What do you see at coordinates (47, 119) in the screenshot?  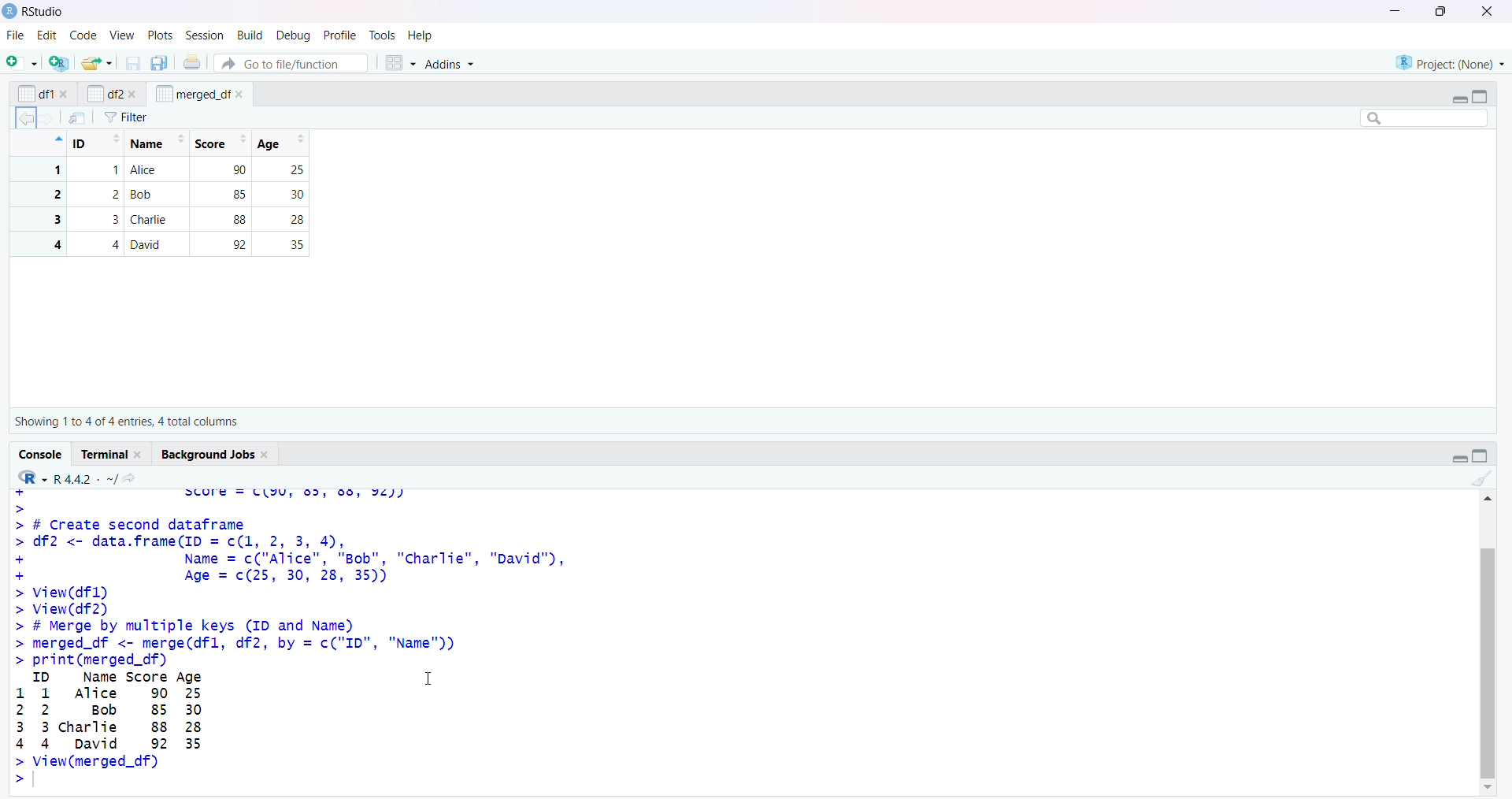 I see `forward` at bounding box center [47, 119].